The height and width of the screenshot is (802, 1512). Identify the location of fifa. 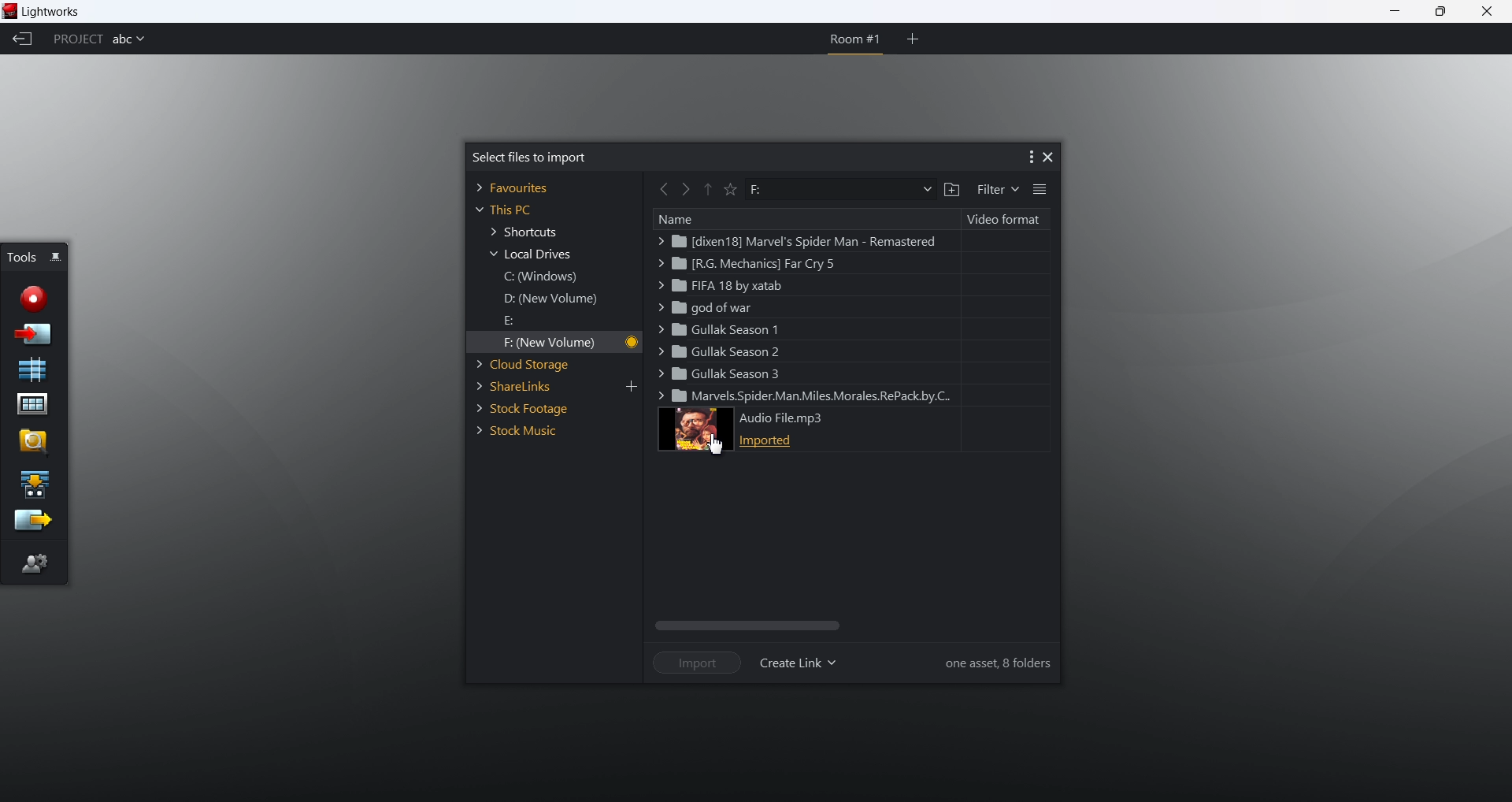
(721, 285).